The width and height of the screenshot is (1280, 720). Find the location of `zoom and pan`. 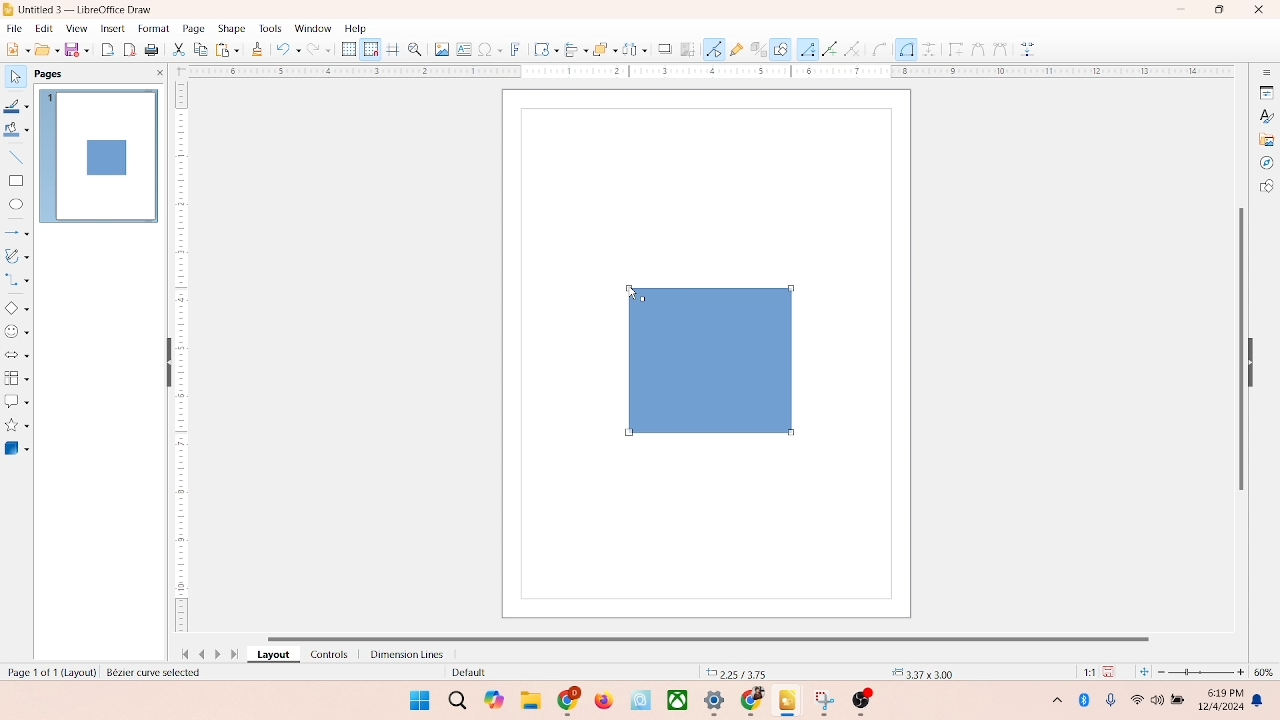

zoom and pan is located at coordinates (414, 48).